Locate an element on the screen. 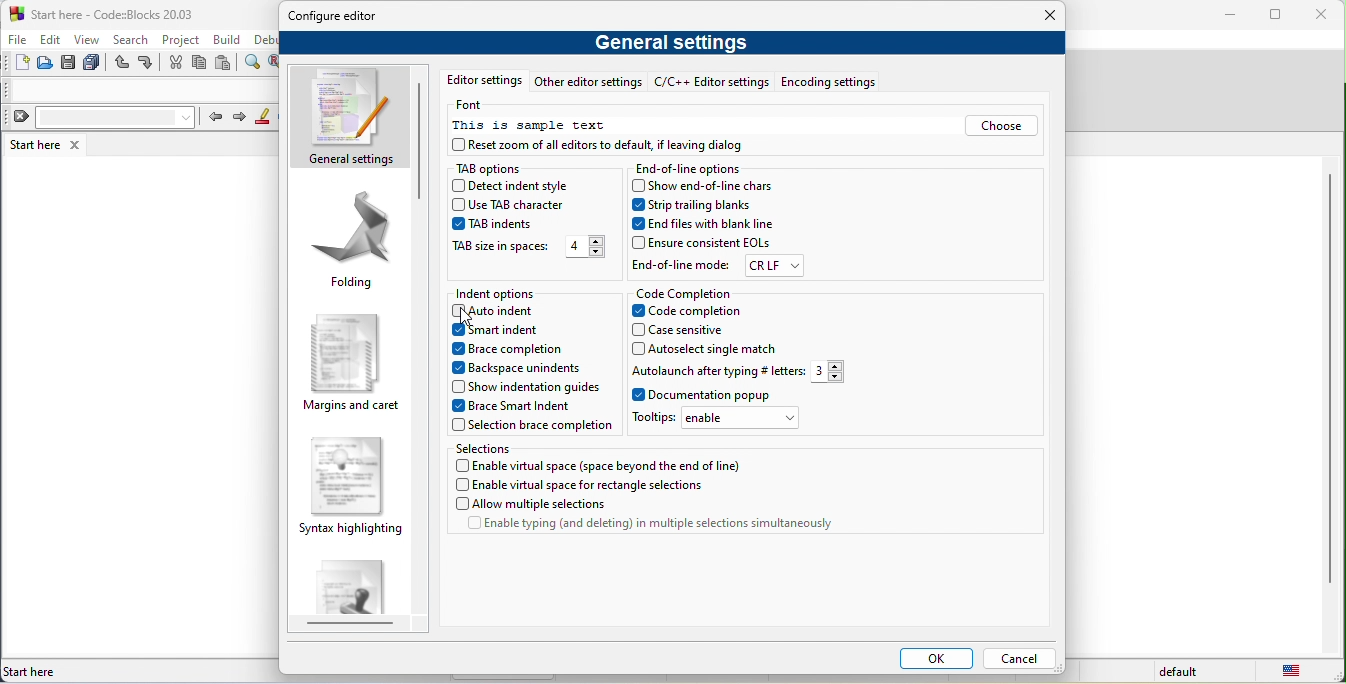  start here-code blocks-20 03 is located at coordinates (131, 14).